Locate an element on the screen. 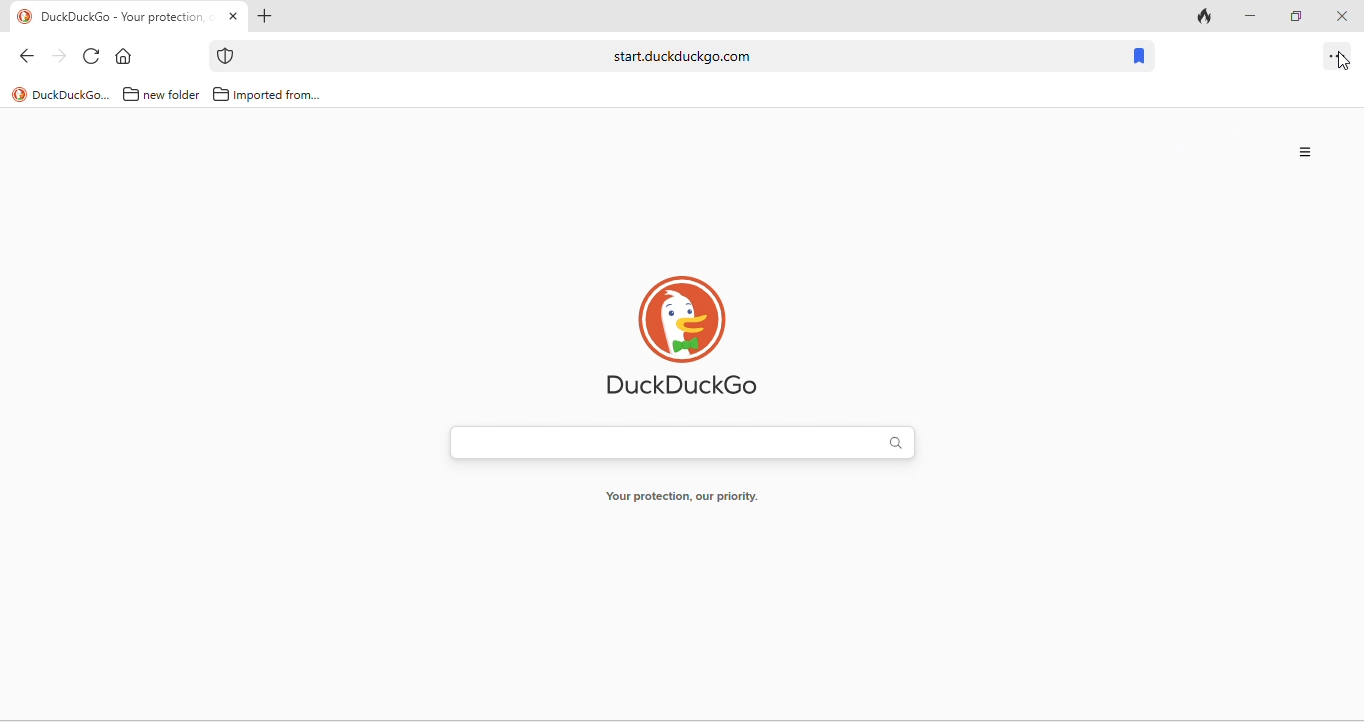  forward is located at coordinates (58, 56).